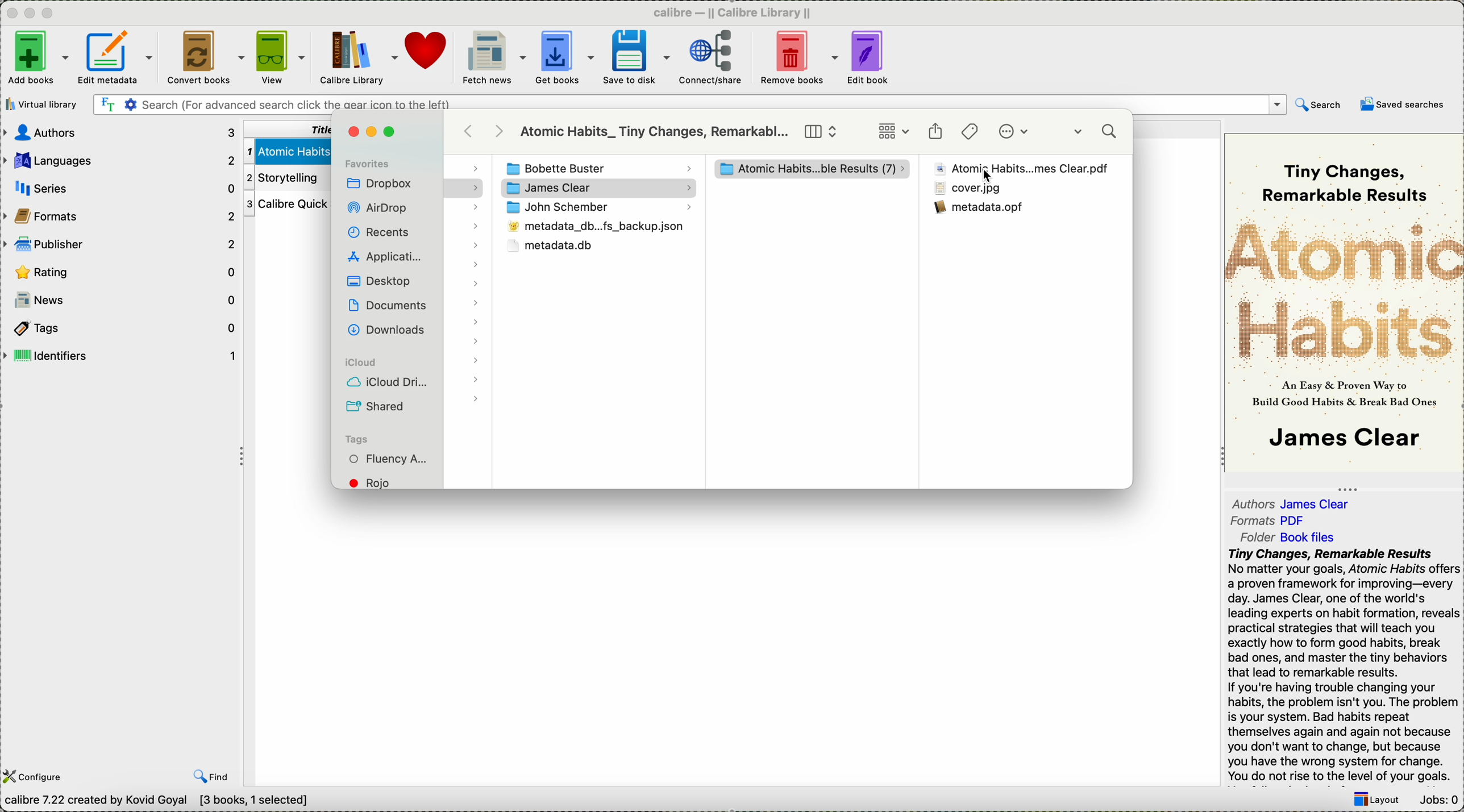  What do you see at coordinates (564, 59) in the screenshot?
I see `get books` at bounding box center [564, 59].